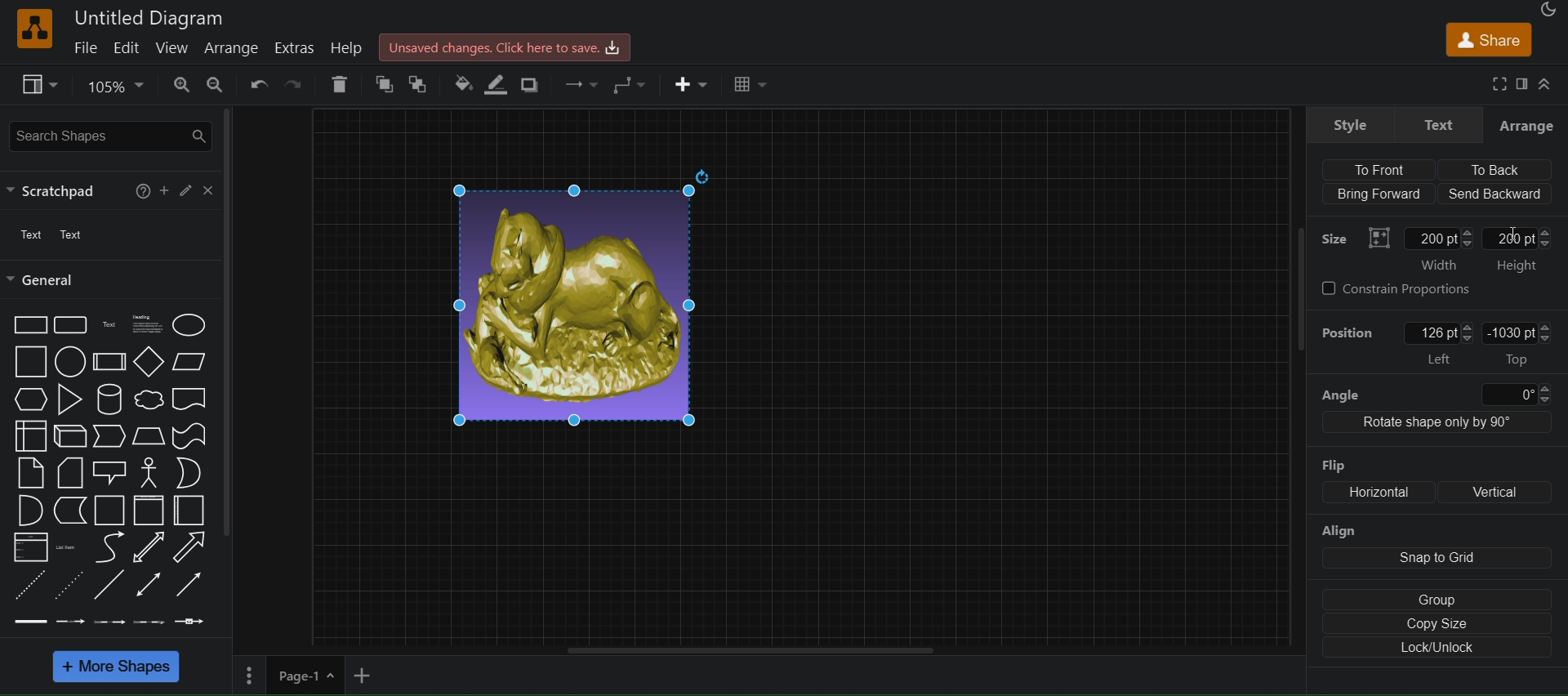  Describe the element at coordinates (340, 83) in the screenshot. I see `delete` at that location.